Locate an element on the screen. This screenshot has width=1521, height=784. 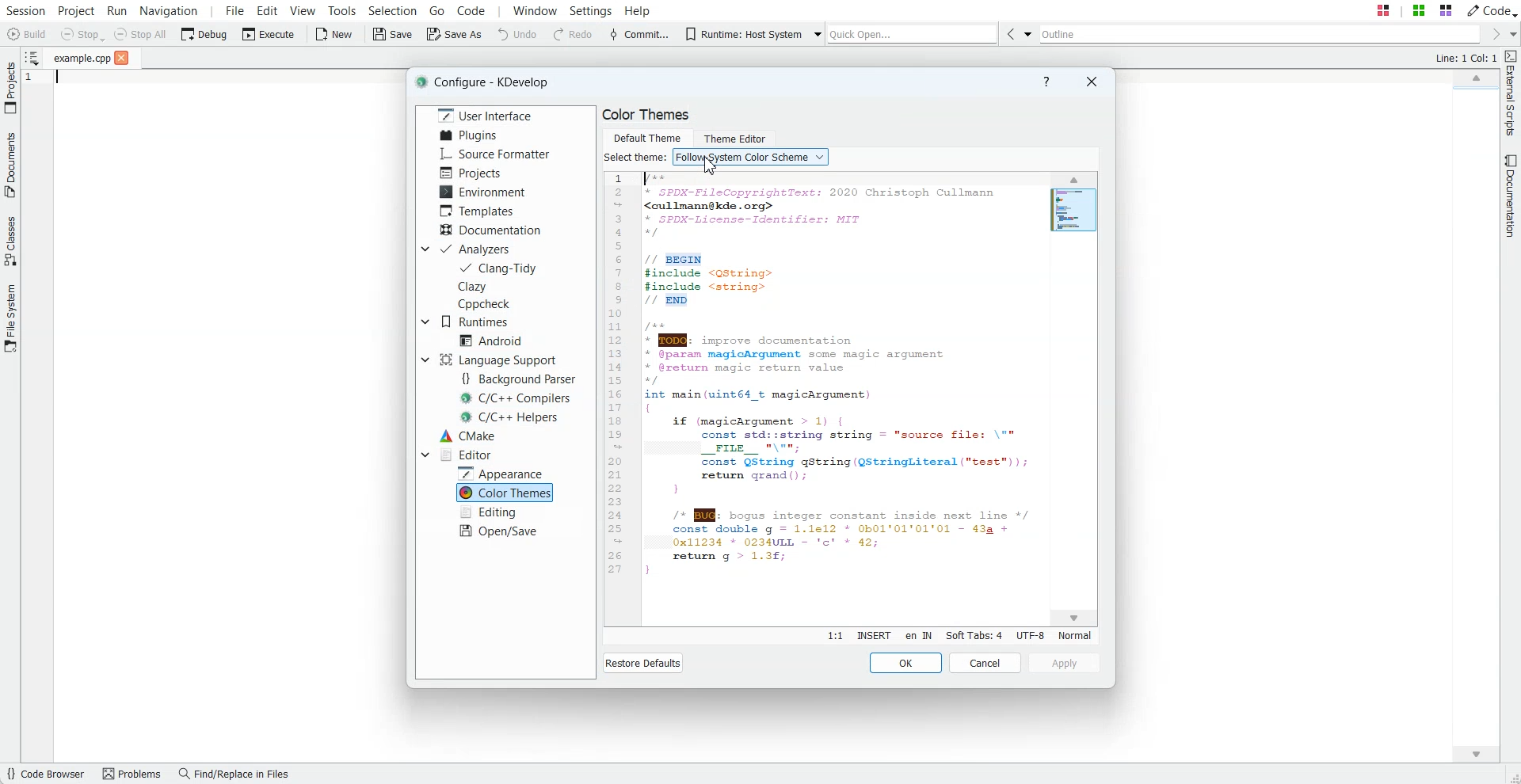
Theme Editor is located at coordinates (734, 136).